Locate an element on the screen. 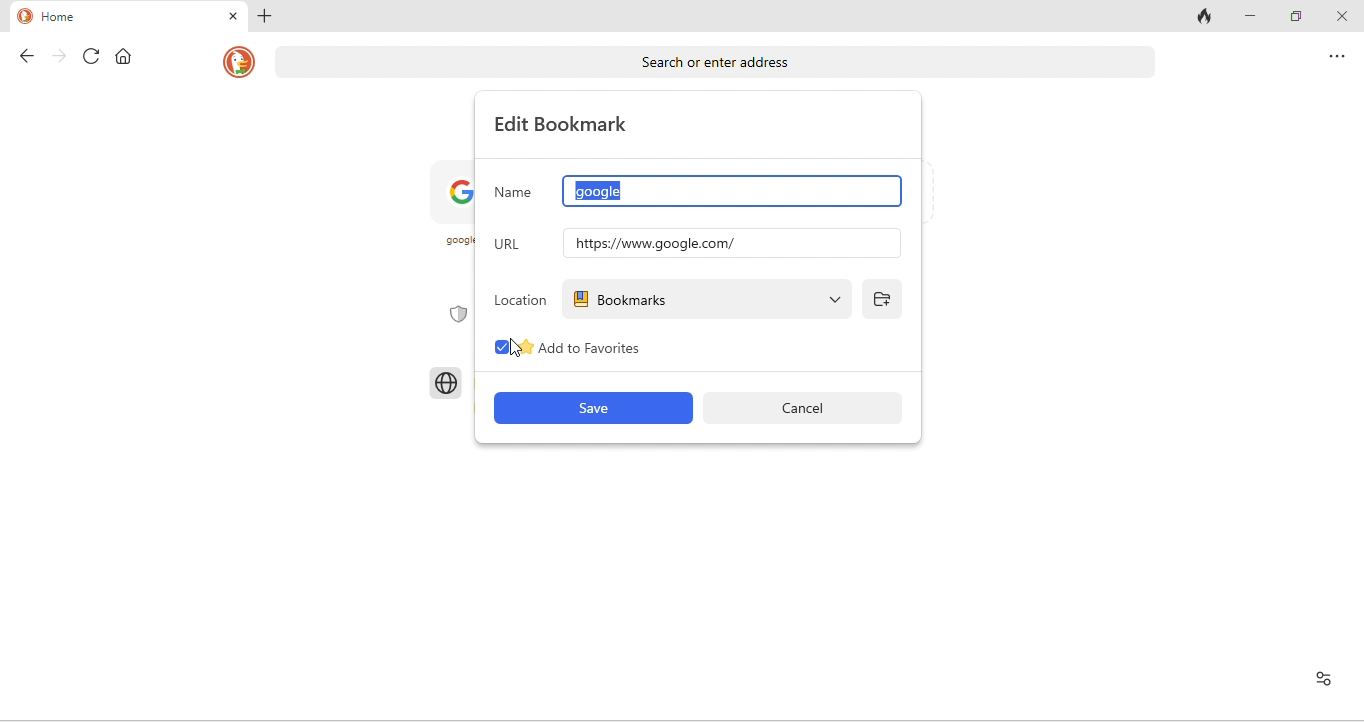 This screenshot has height=722, width=1364. add new tab is located at coordinates (268, 17).